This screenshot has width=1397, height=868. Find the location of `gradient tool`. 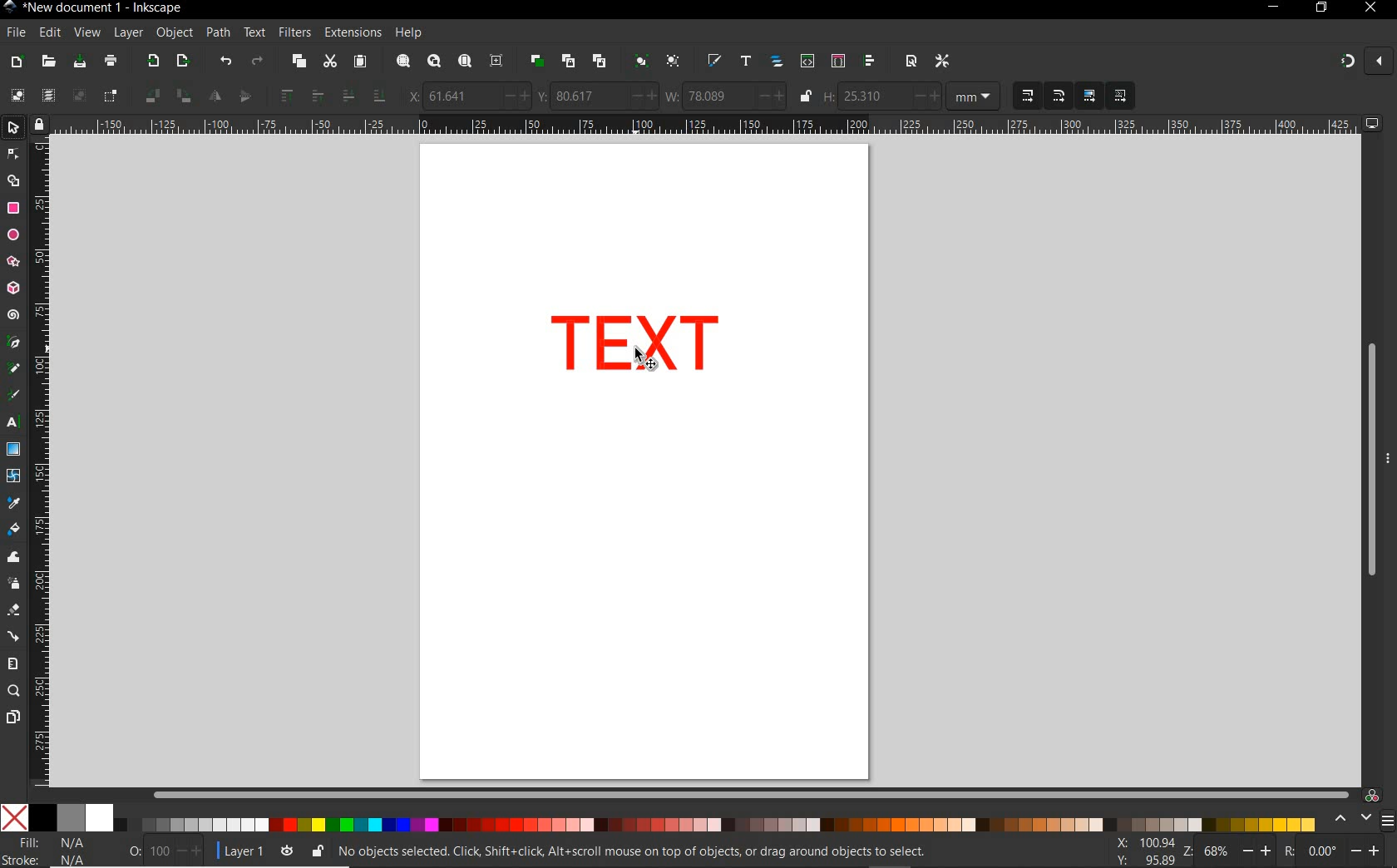

gradient tool is located at coordinates (13, 450).